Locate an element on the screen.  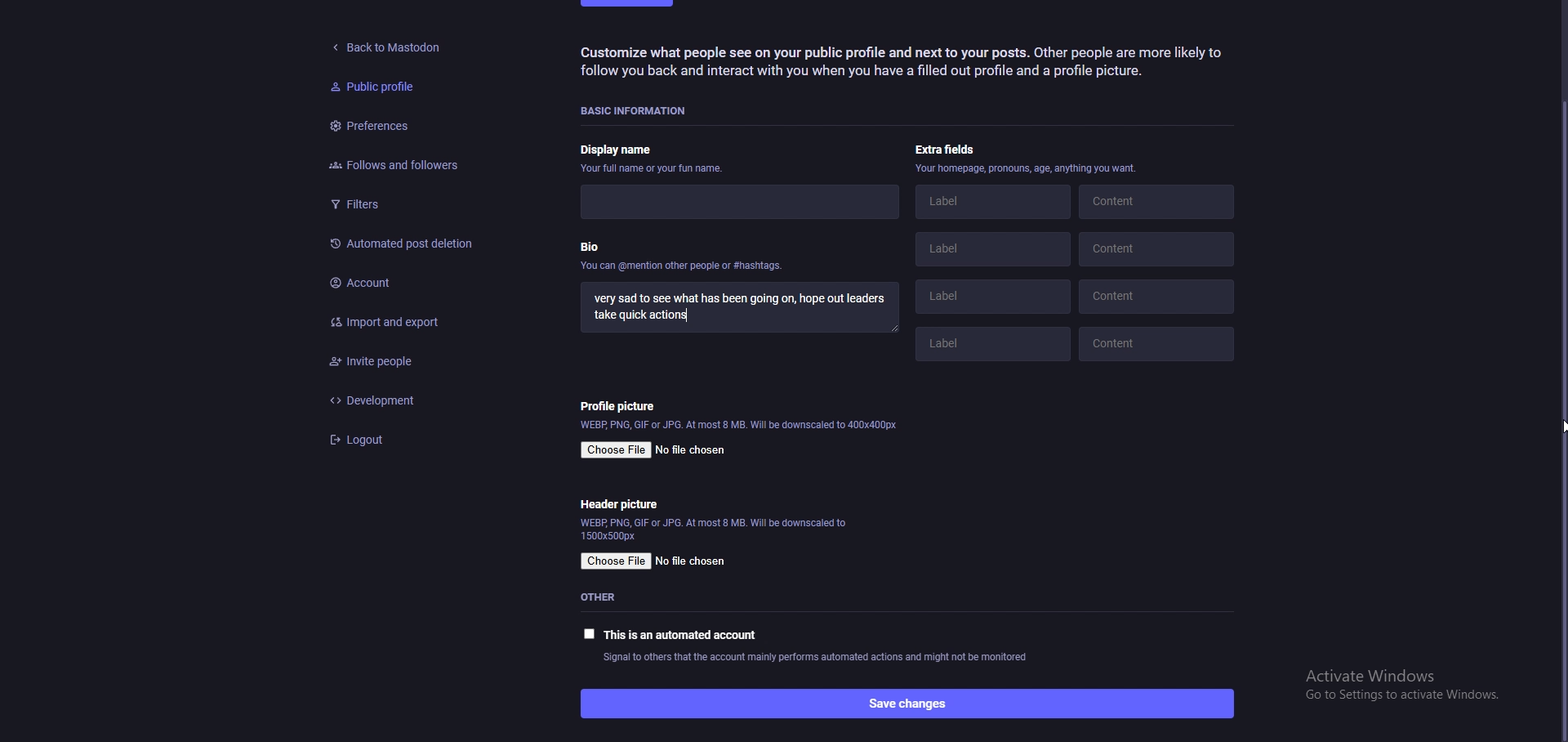
Public profile is located at coordinates (370, 87).